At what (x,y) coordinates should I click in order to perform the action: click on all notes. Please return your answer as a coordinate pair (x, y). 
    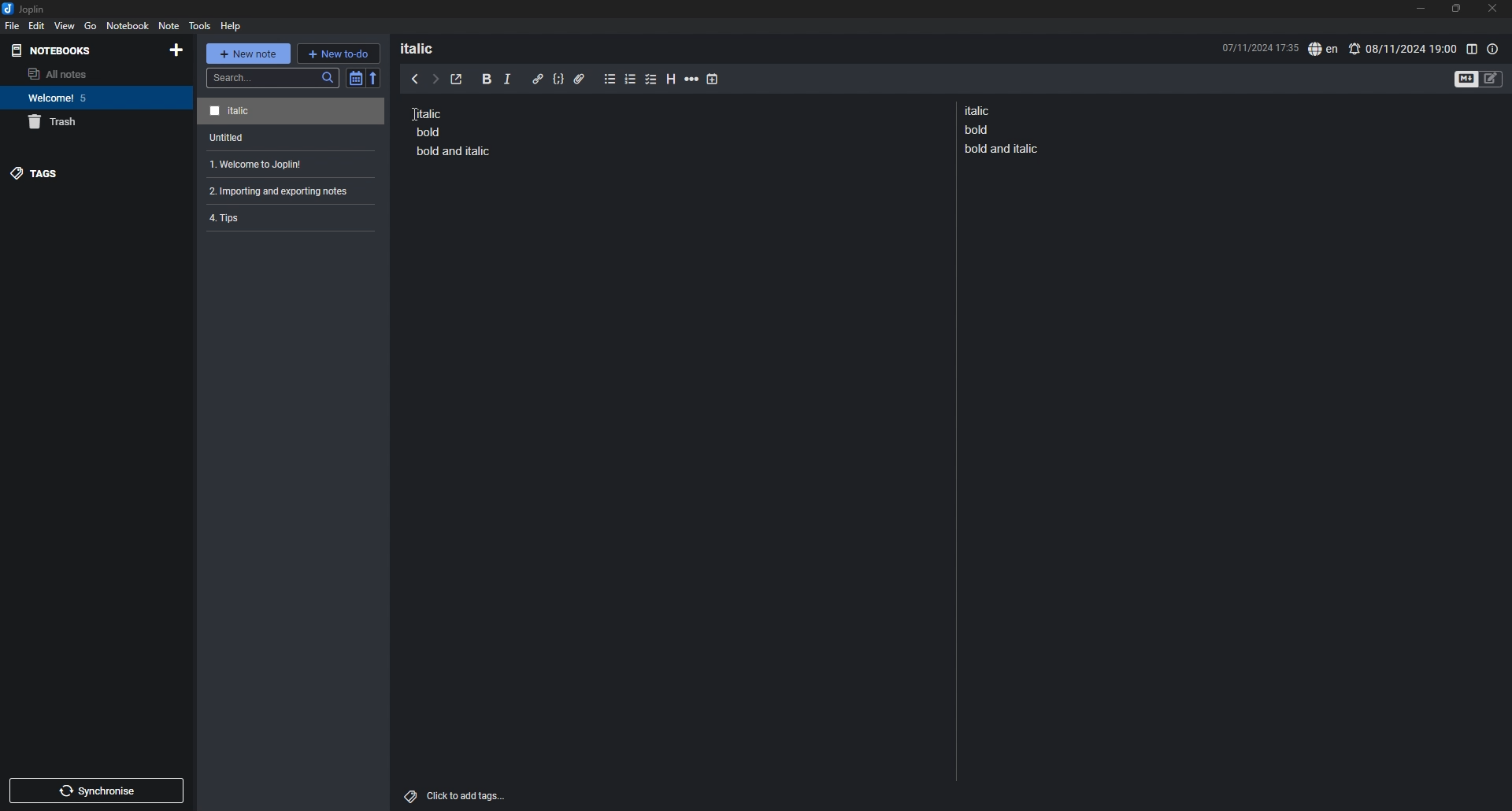
    Looking at the image, I should click on (92, 74).